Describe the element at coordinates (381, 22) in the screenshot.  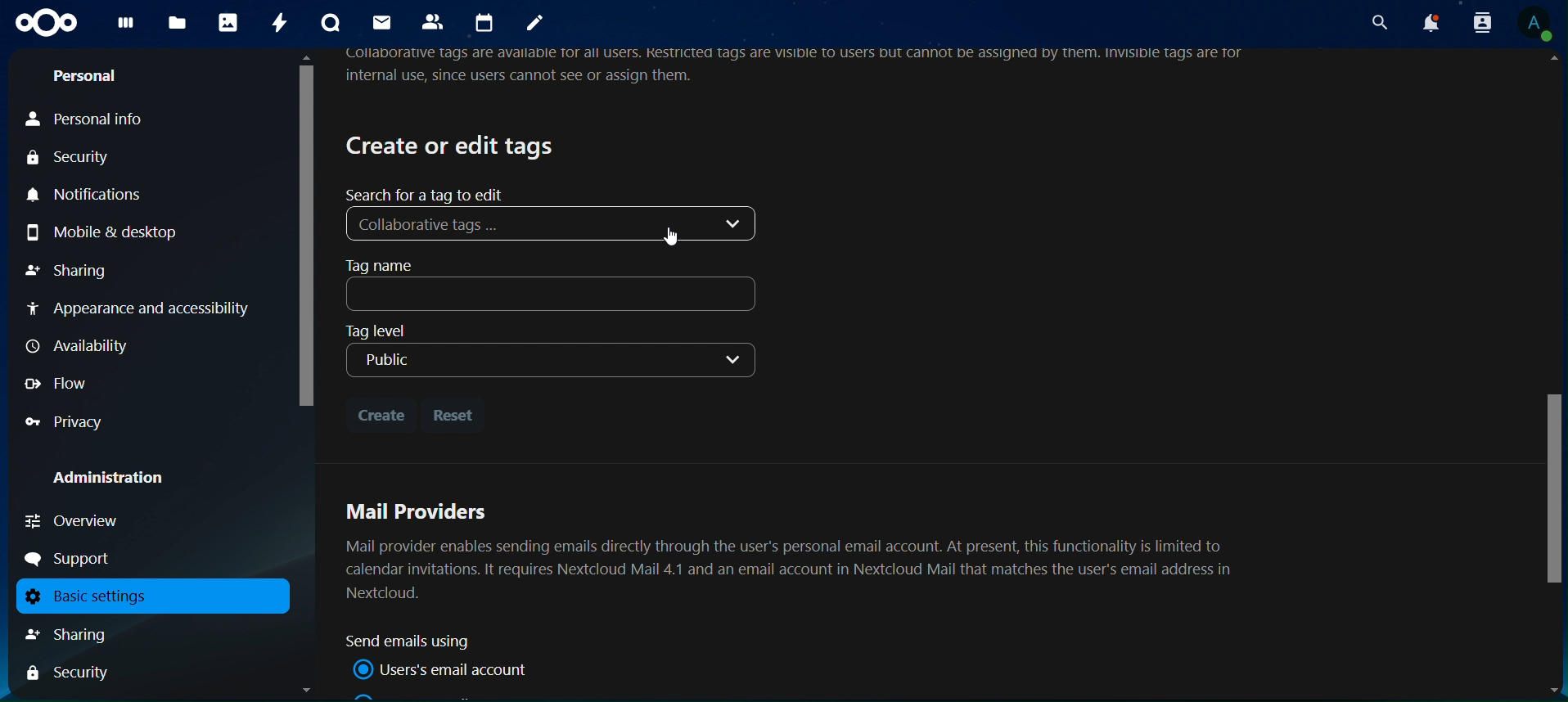
I see `mail` at that location.